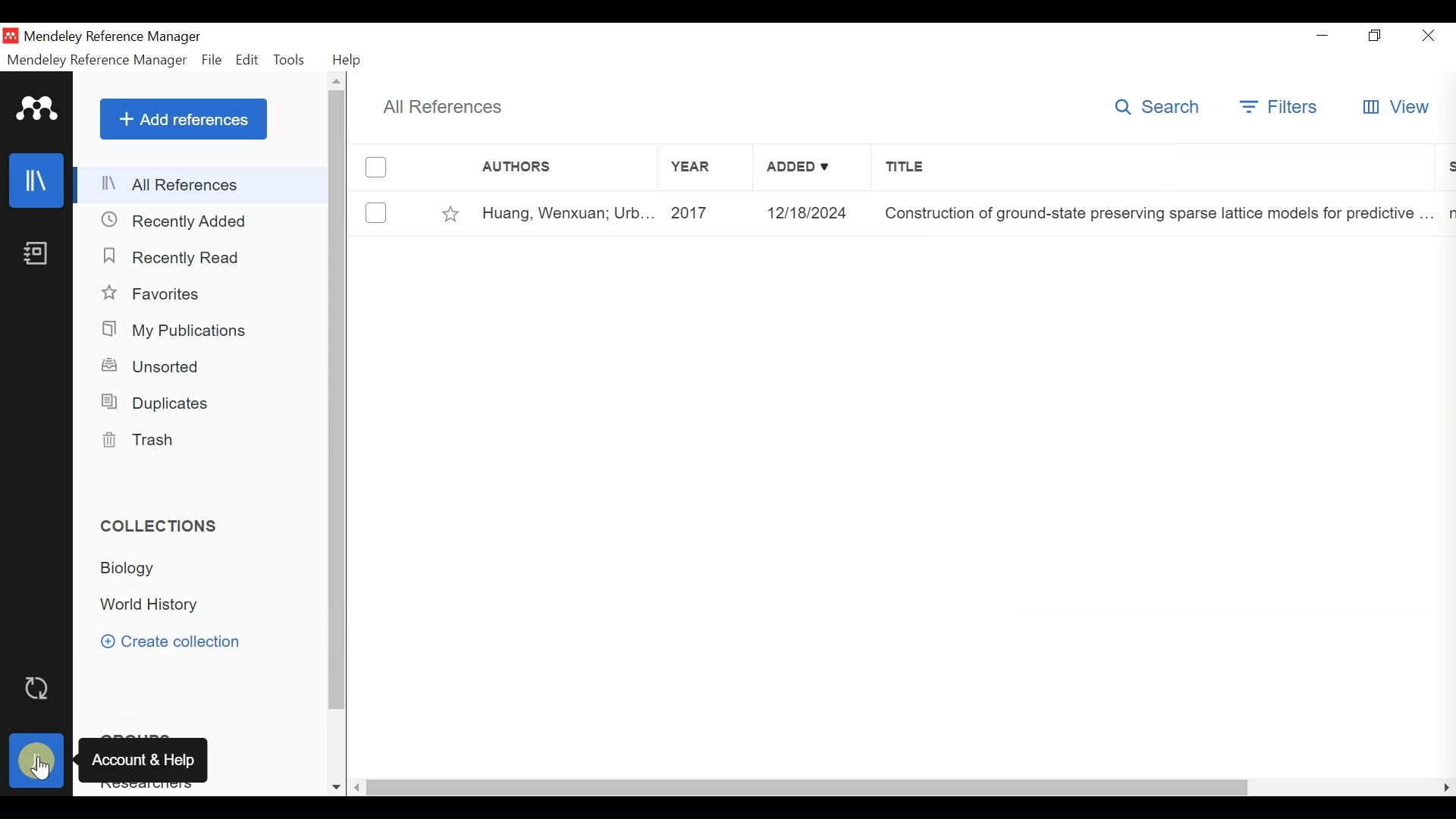 The height and width of the screenshot is (819, 1456). What do you see at coordinates (709, 214) in the screenshot?
I see `2017` at bounding box center [709, 214].